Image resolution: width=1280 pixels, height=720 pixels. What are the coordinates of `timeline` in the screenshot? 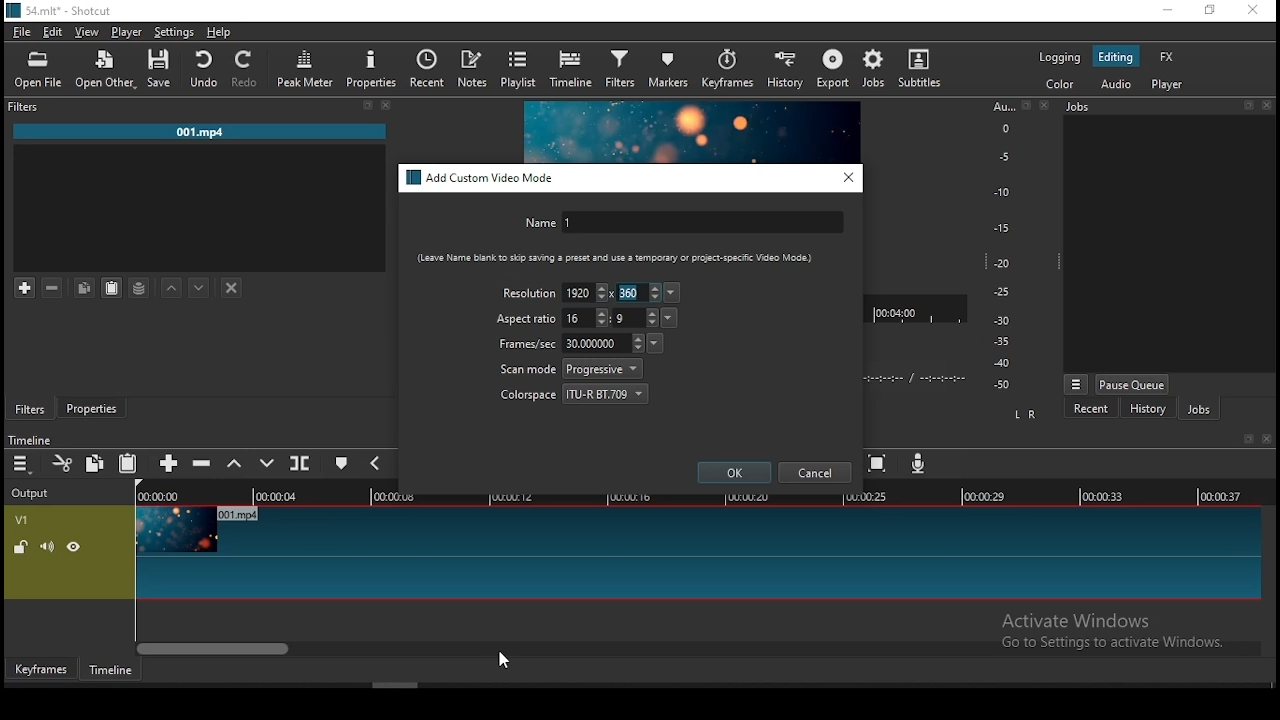 It's located at (29, 440).